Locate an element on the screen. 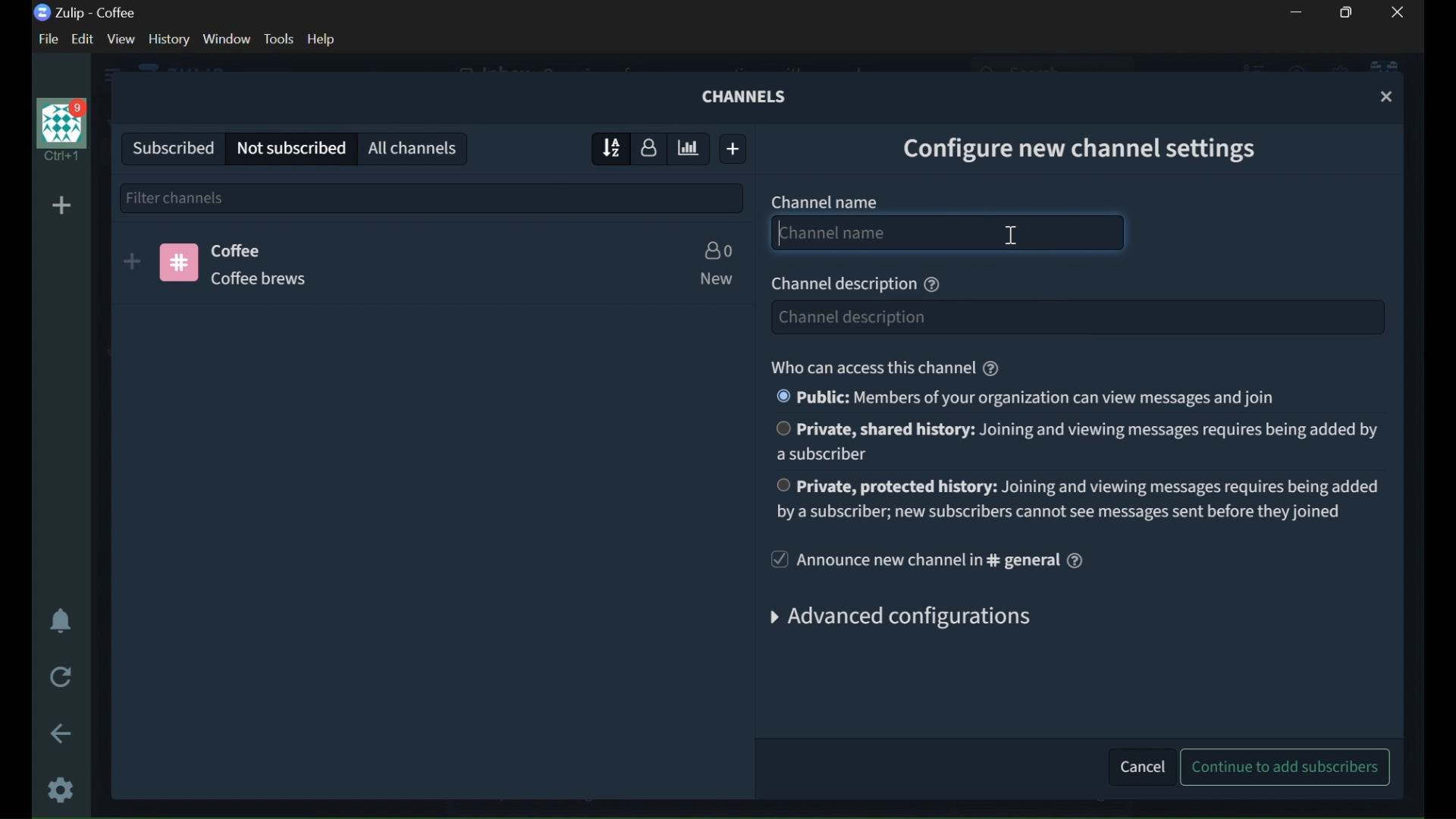 This screenshot has width=1456, height=819. CHANNELS is located at coordinates (747, 96).